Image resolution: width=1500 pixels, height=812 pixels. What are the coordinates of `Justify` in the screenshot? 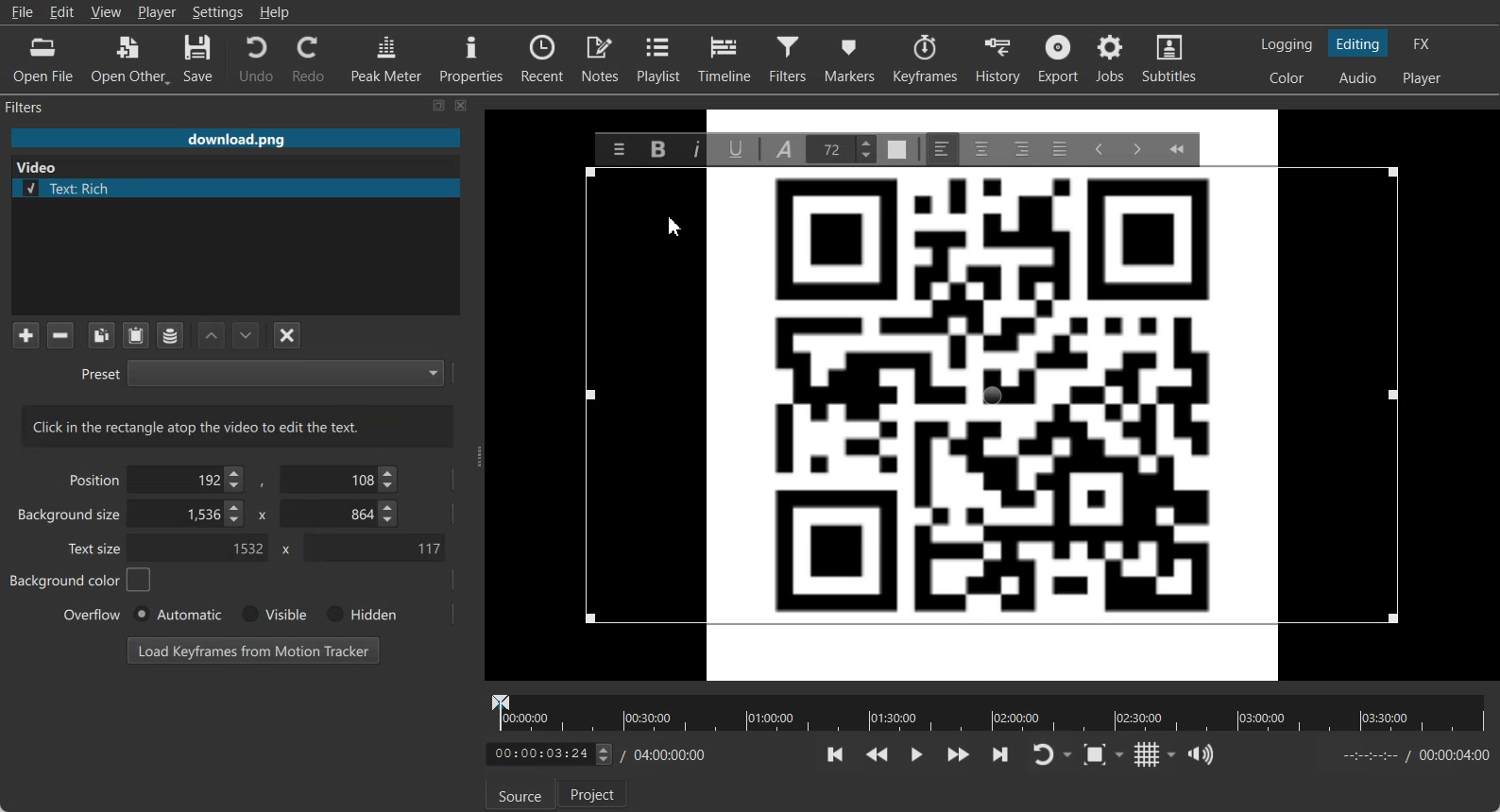 It's located at (1061, 149).